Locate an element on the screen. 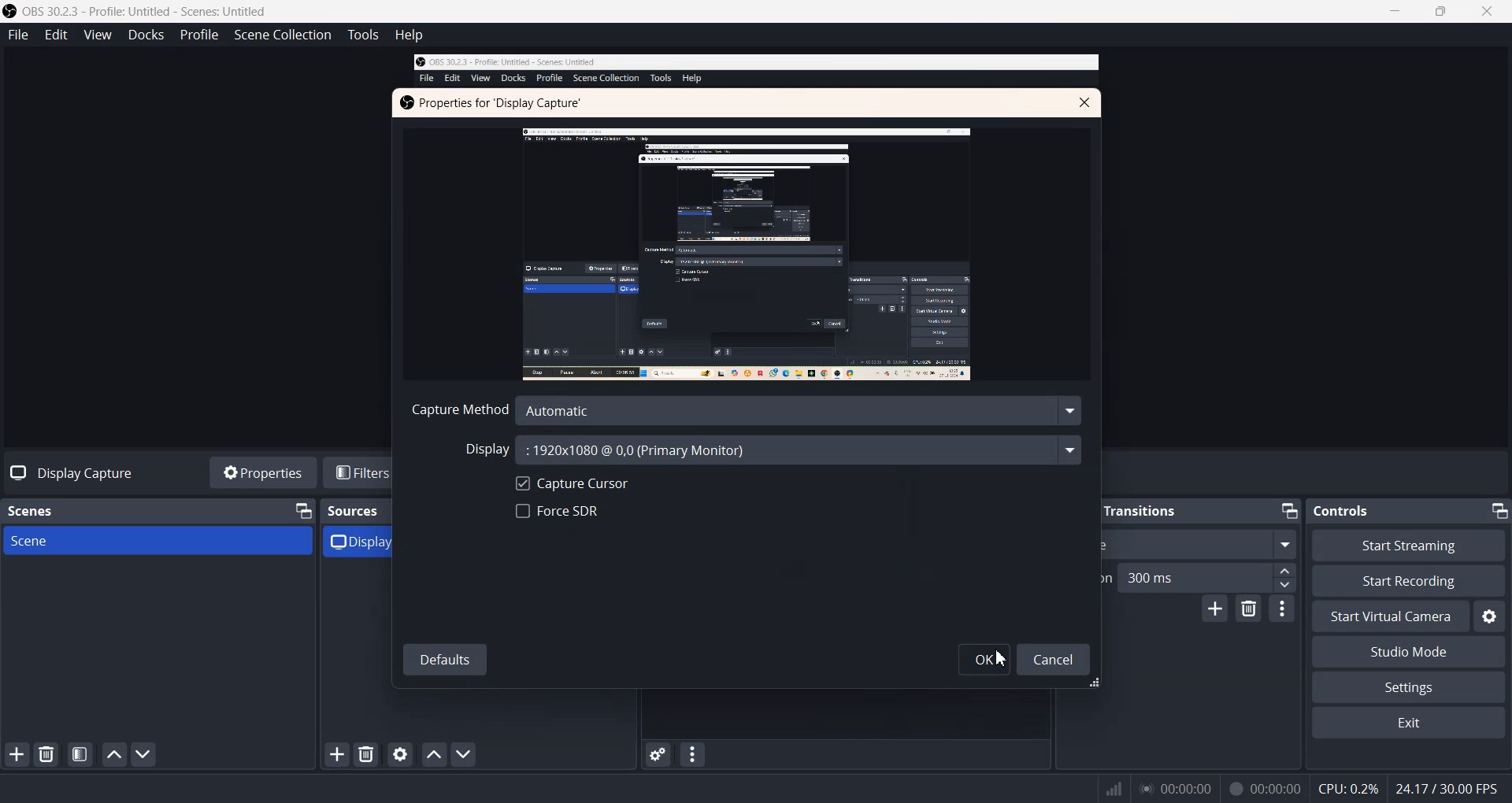 This screenshot has width=1512, height=803. Help is located at coordinates (409, 35).